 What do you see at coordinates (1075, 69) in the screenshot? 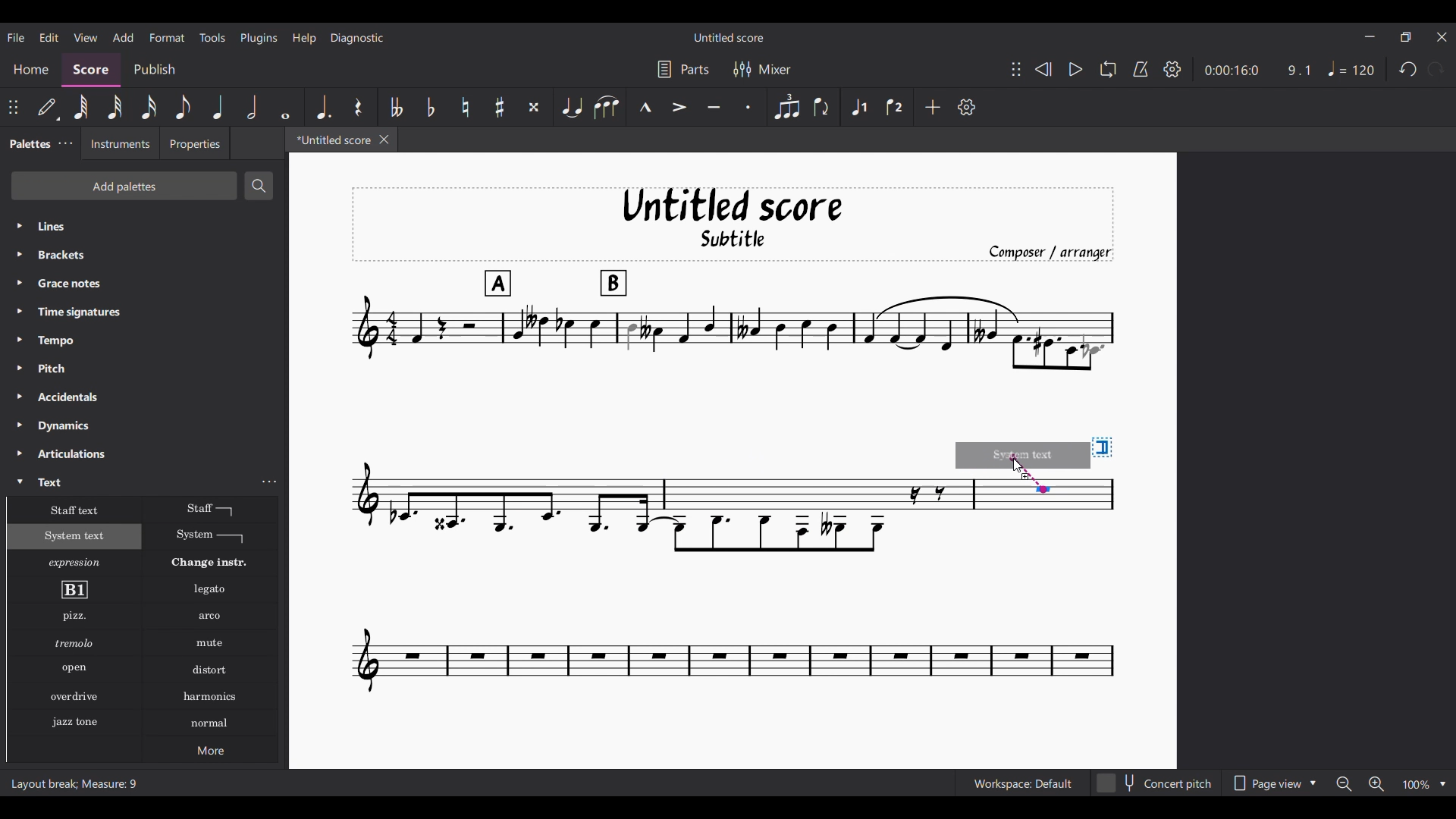
I see `Play` at bounding box center [1075, 69].